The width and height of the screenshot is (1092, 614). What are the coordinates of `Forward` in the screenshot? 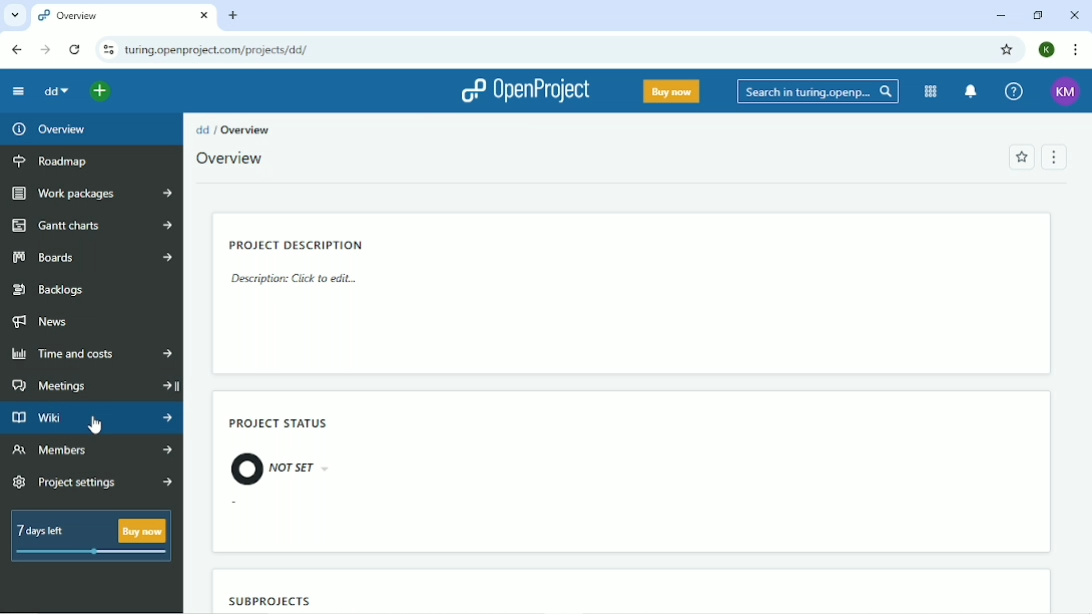 It's located at (45, 50).